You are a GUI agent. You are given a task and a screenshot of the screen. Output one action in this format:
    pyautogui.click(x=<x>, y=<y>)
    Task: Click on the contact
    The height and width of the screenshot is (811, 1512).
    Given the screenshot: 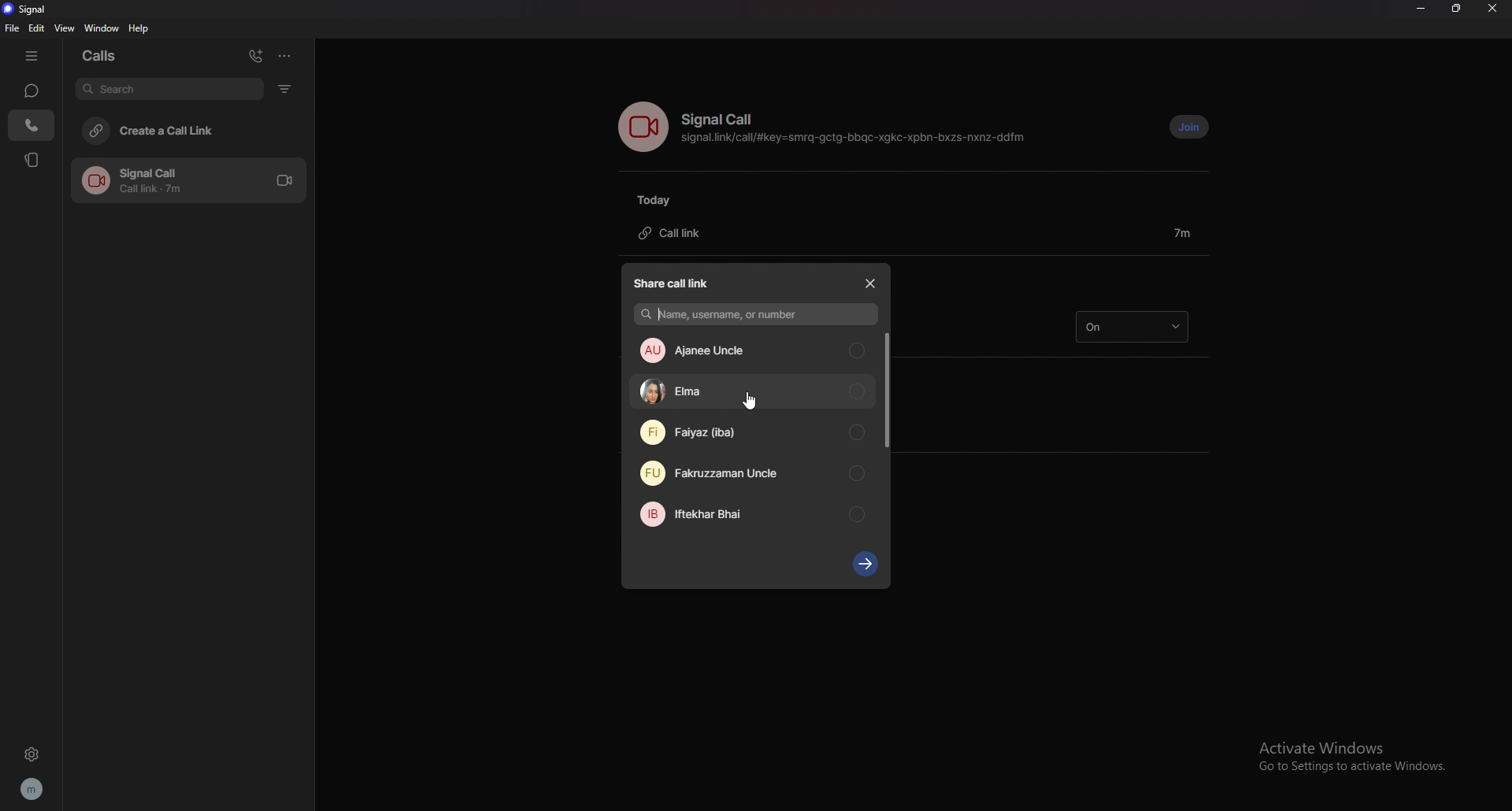 What is the action you would take?
    pyautogui.click(x=755, y=514)
    